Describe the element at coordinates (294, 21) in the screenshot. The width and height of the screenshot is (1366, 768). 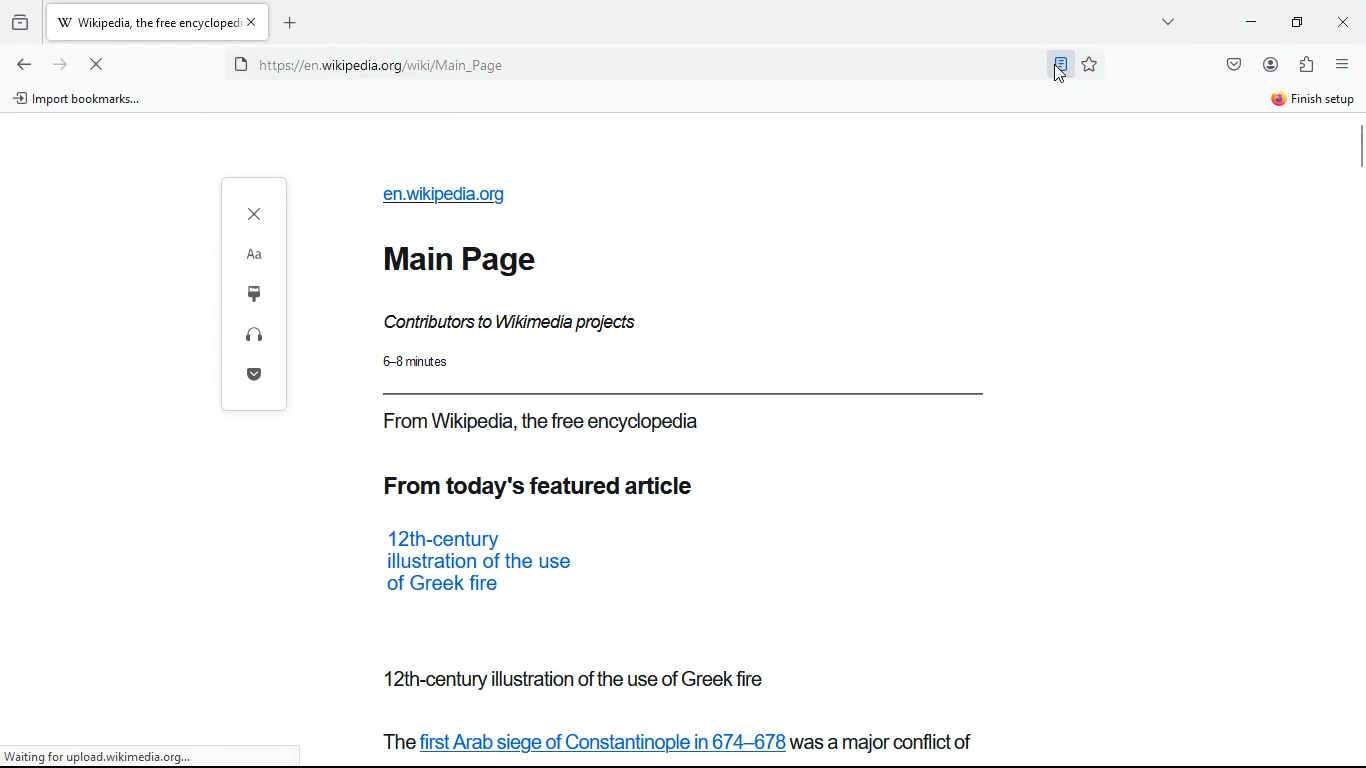
I see `add new tab` at that location.